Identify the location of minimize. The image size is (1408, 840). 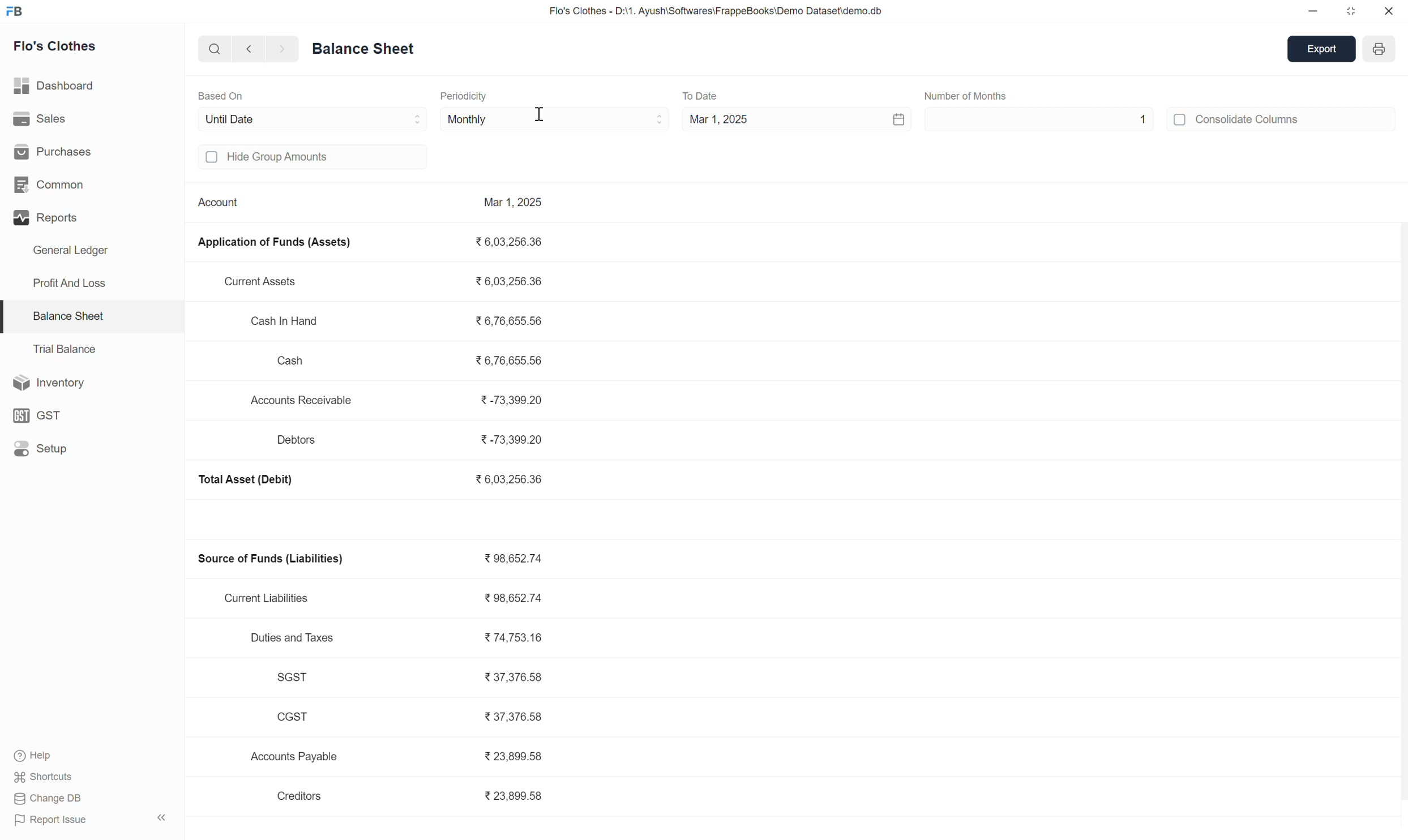
(1310, 11).